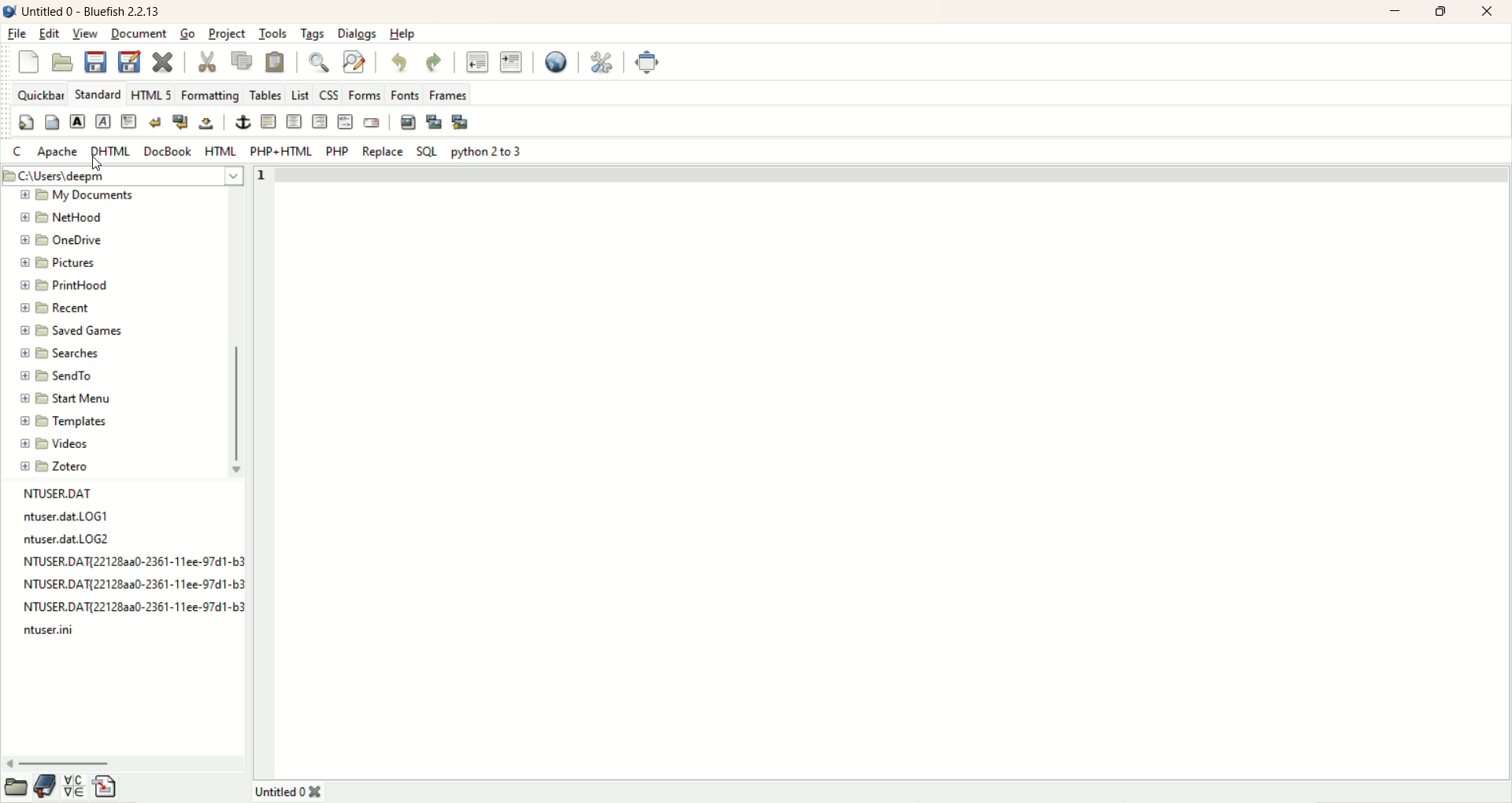 The height and width of the screenshot is (803, 1512). Describe the element at coordinates (299, 94) in the screenshot. I see `list` at that location.